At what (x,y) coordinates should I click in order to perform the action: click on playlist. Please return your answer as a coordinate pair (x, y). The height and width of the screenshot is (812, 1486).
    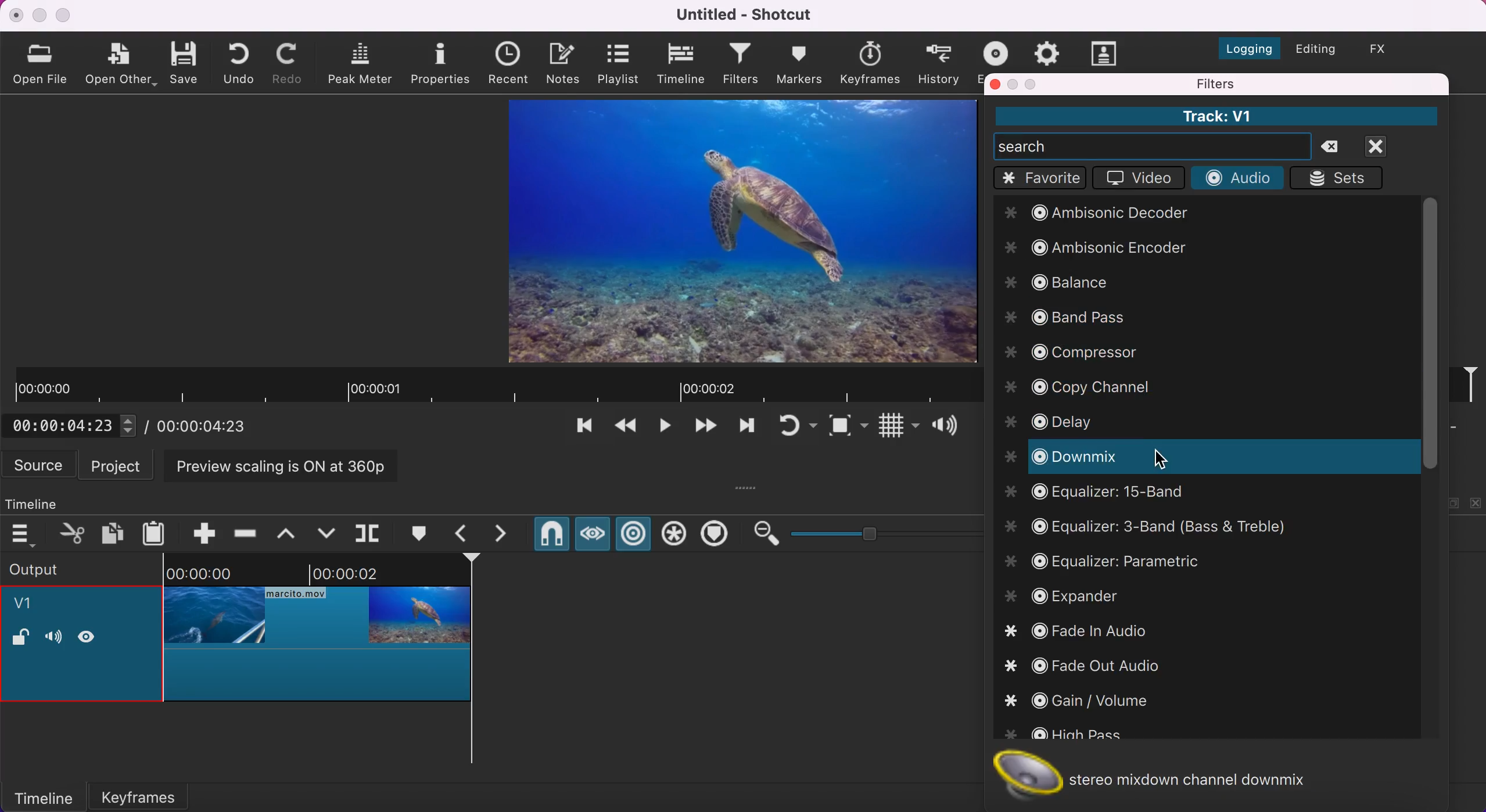
    Looking at the image, I should click on (618, 63).